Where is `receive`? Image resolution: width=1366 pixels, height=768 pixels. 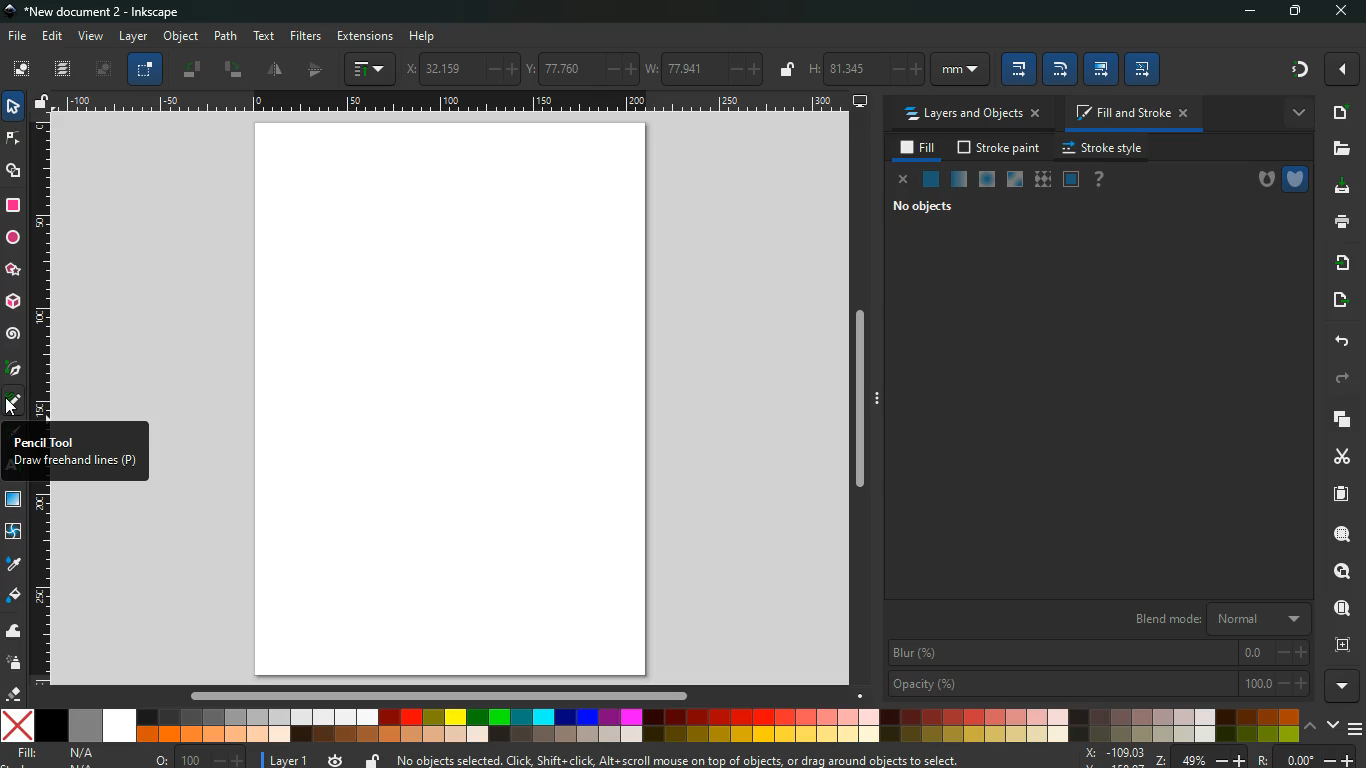 receive is located at coordinates (1339, 261).